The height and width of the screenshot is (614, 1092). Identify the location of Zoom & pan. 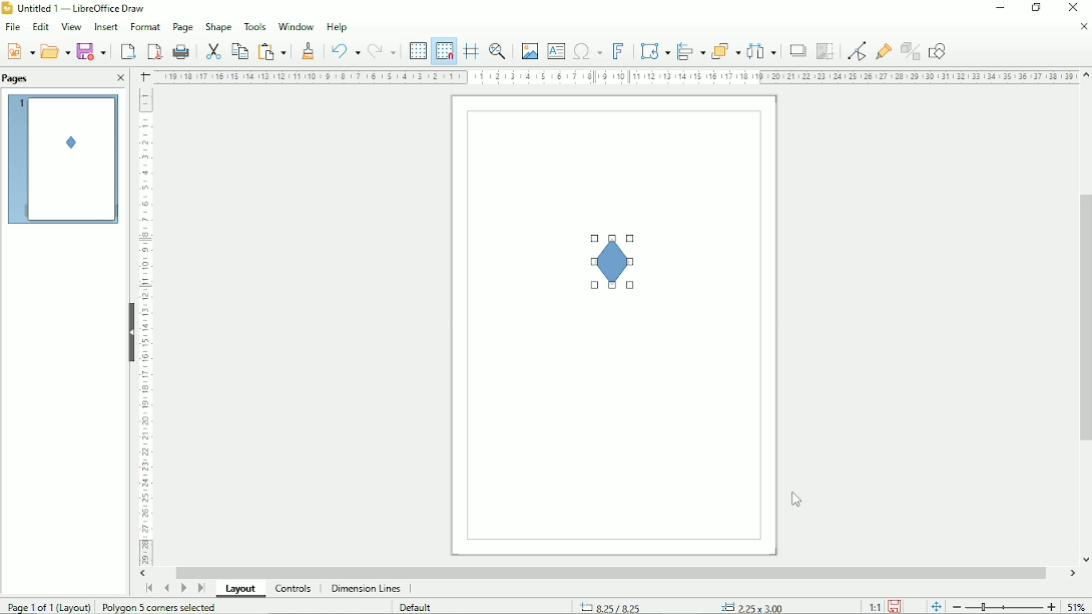
(499, 51).